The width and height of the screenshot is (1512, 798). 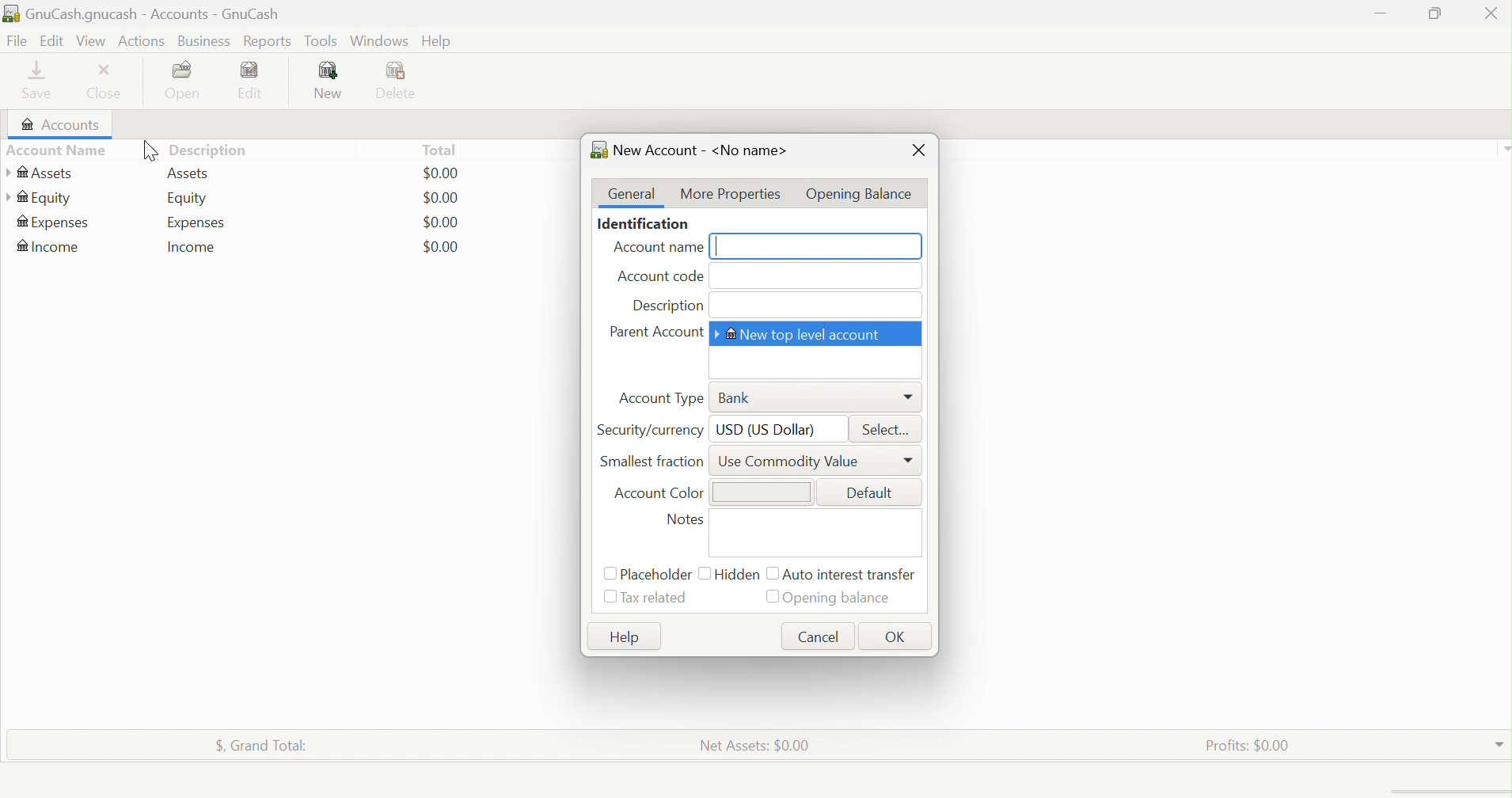 I want to click on Account Type, so click(x=661, y=398).